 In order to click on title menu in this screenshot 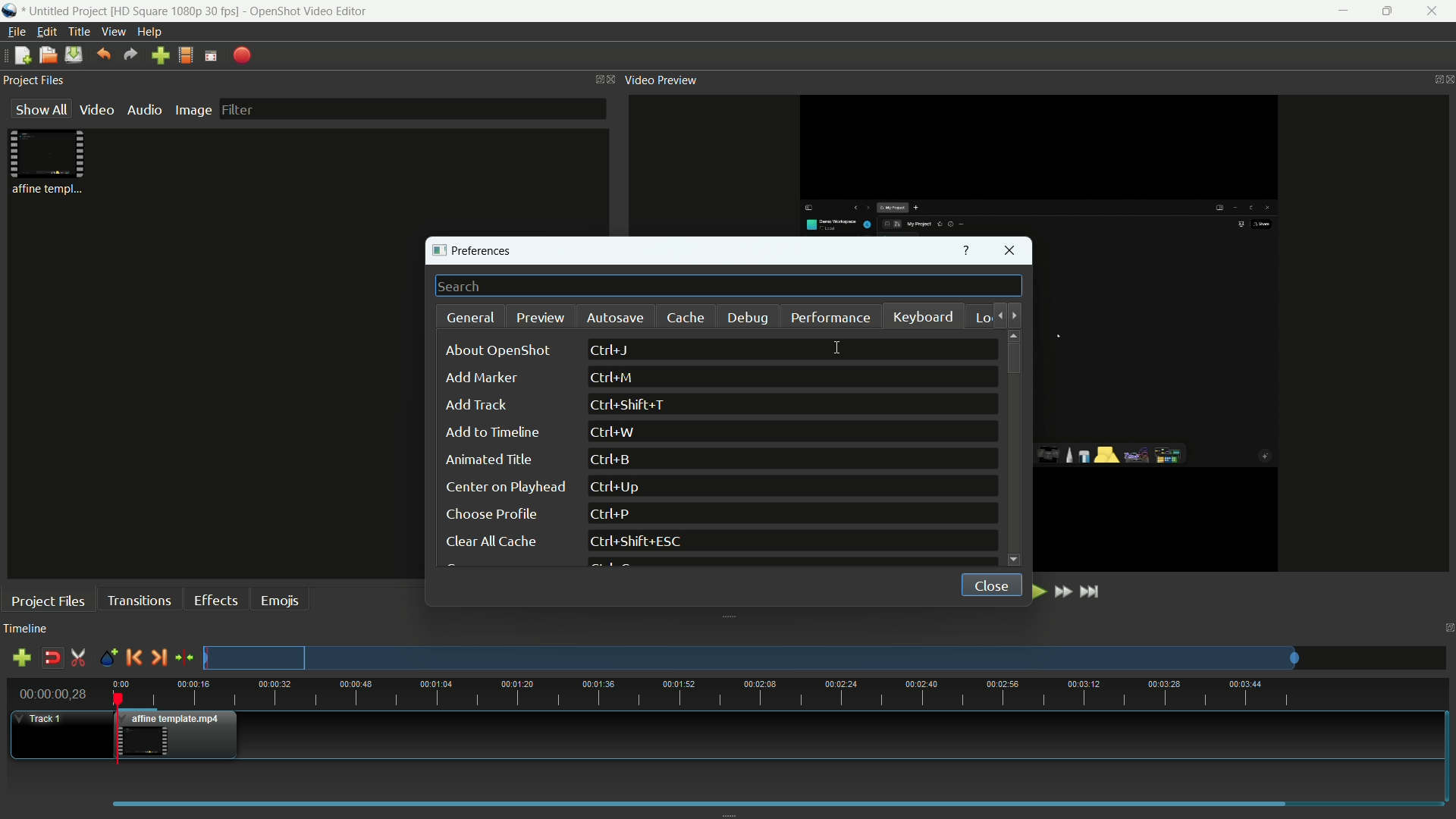, I will do `click(79, 31)`.